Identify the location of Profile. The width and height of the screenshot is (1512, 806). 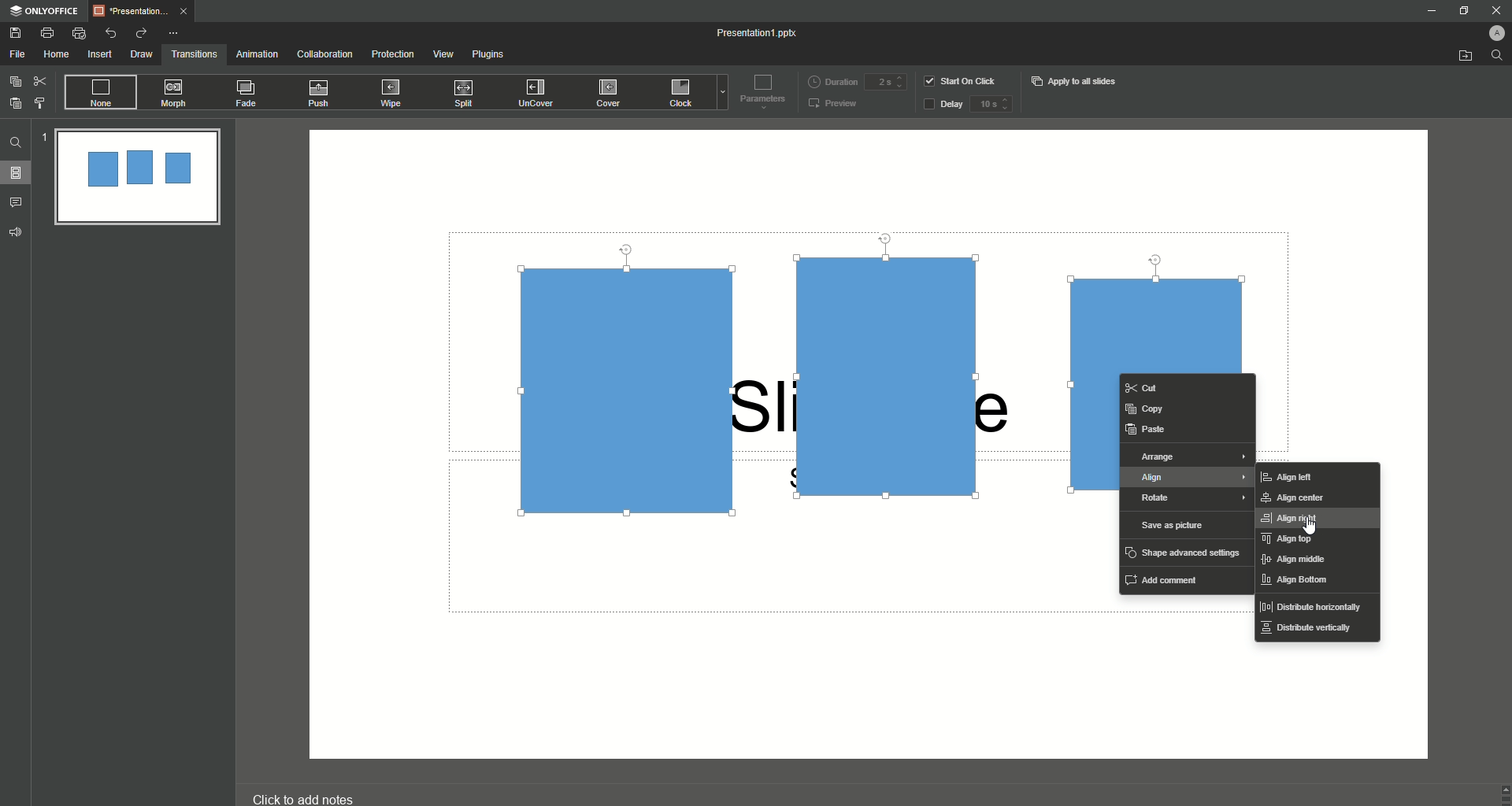
(1489, 31).